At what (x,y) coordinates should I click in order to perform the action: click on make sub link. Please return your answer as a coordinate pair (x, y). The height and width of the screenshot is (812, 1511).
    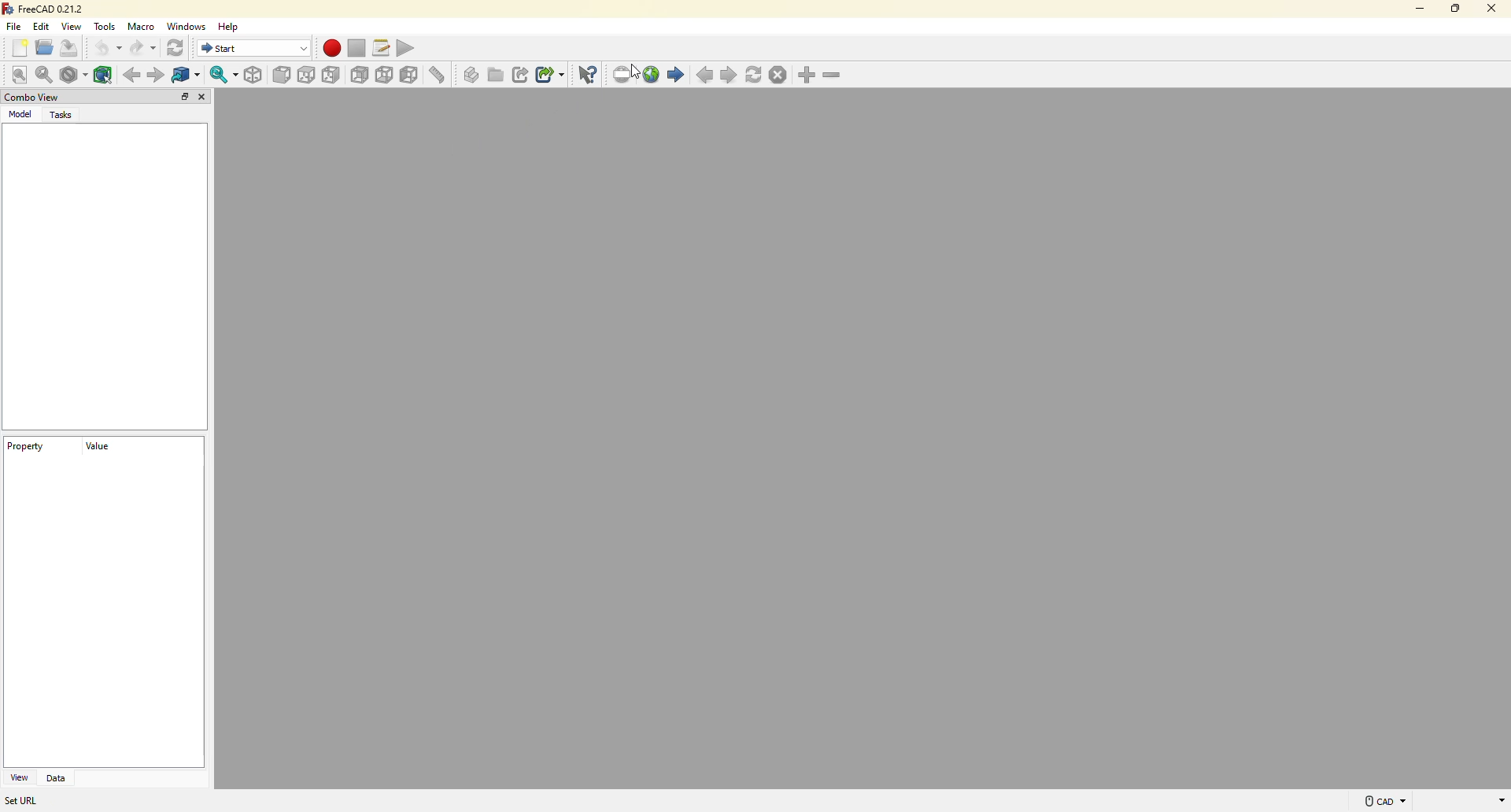
    Looking at the image, I should click on (550, 76).